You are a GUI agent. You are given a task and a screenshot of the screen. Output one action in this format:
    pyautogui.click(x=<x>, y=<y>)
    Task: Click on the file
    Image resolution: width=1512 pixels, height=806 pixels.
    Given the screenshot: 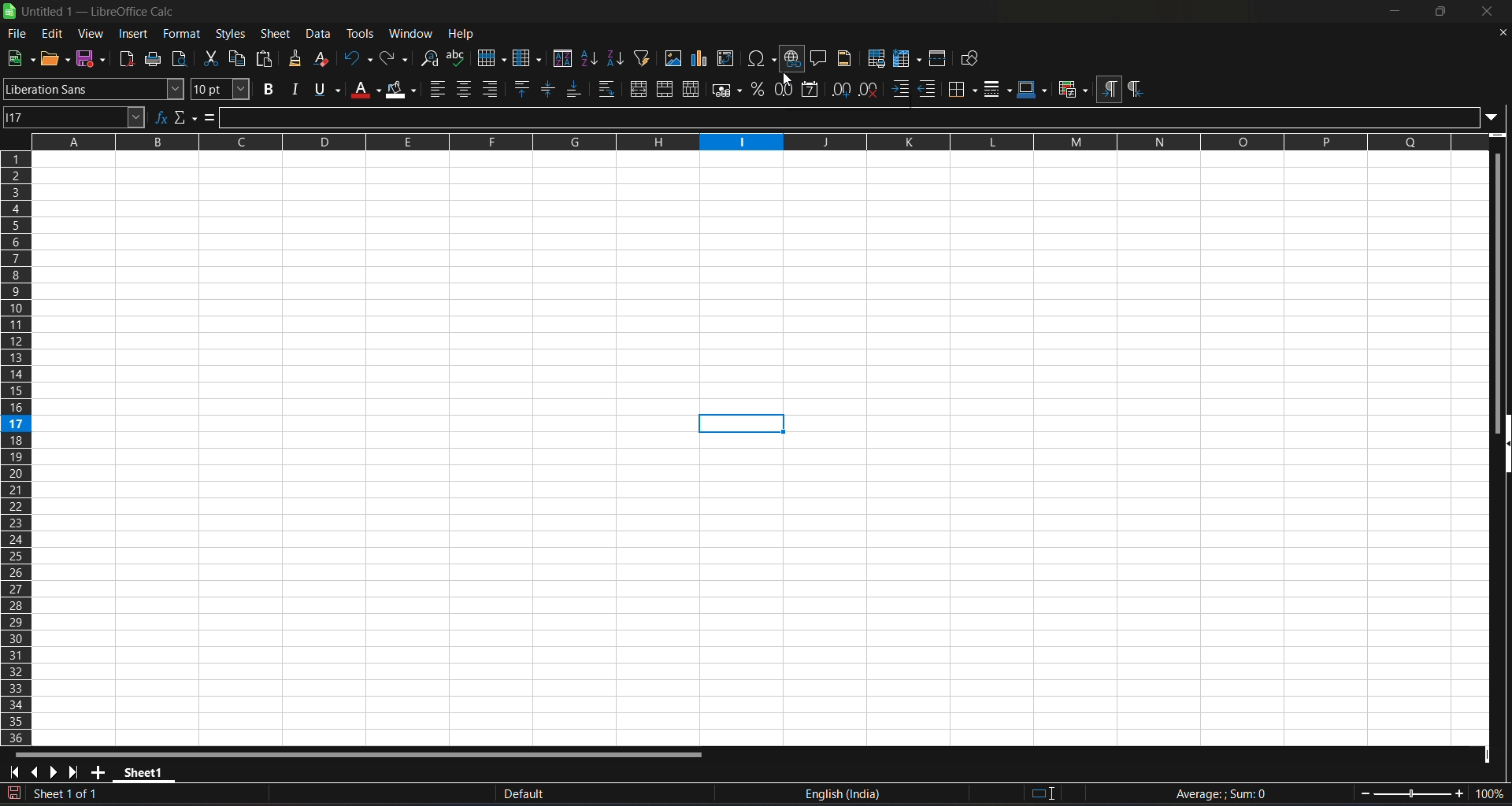 What is the action you would take?
    pyautogui.click(x=17, y=35)
    